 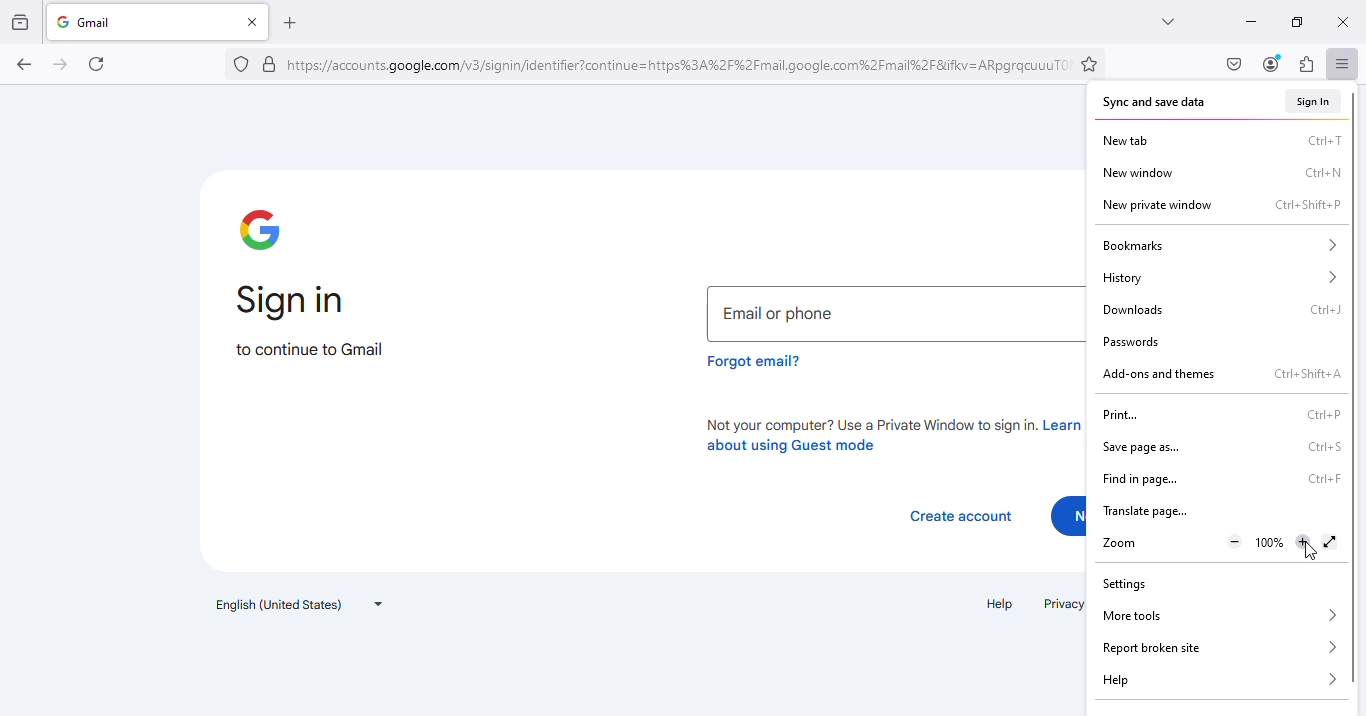 What do you see at coordinates (309, 320) in the screenshot?
I see `sign in to continue to Gmail` at bounding box center [309, 320].